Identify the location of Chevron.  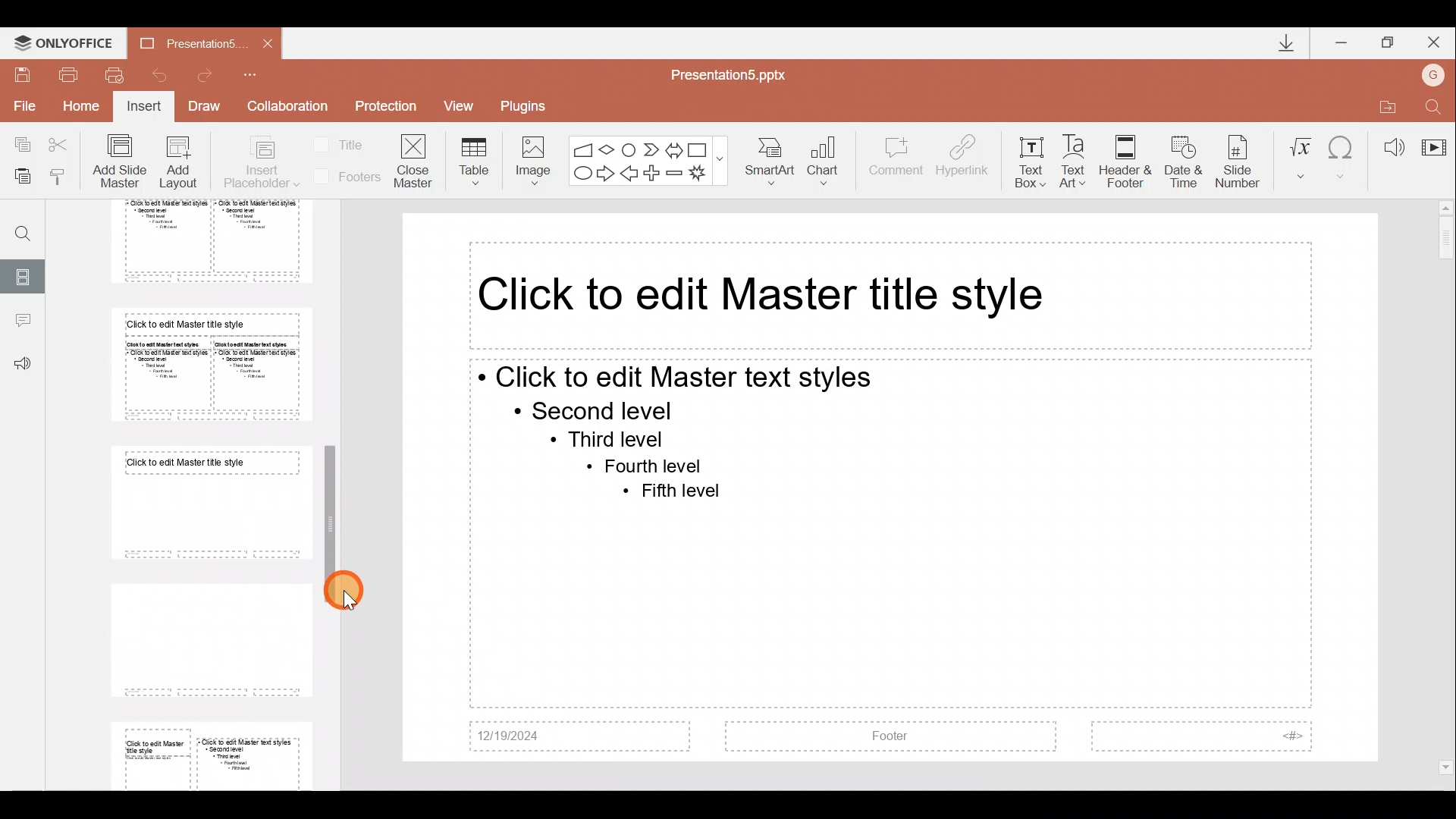
(649, 148).